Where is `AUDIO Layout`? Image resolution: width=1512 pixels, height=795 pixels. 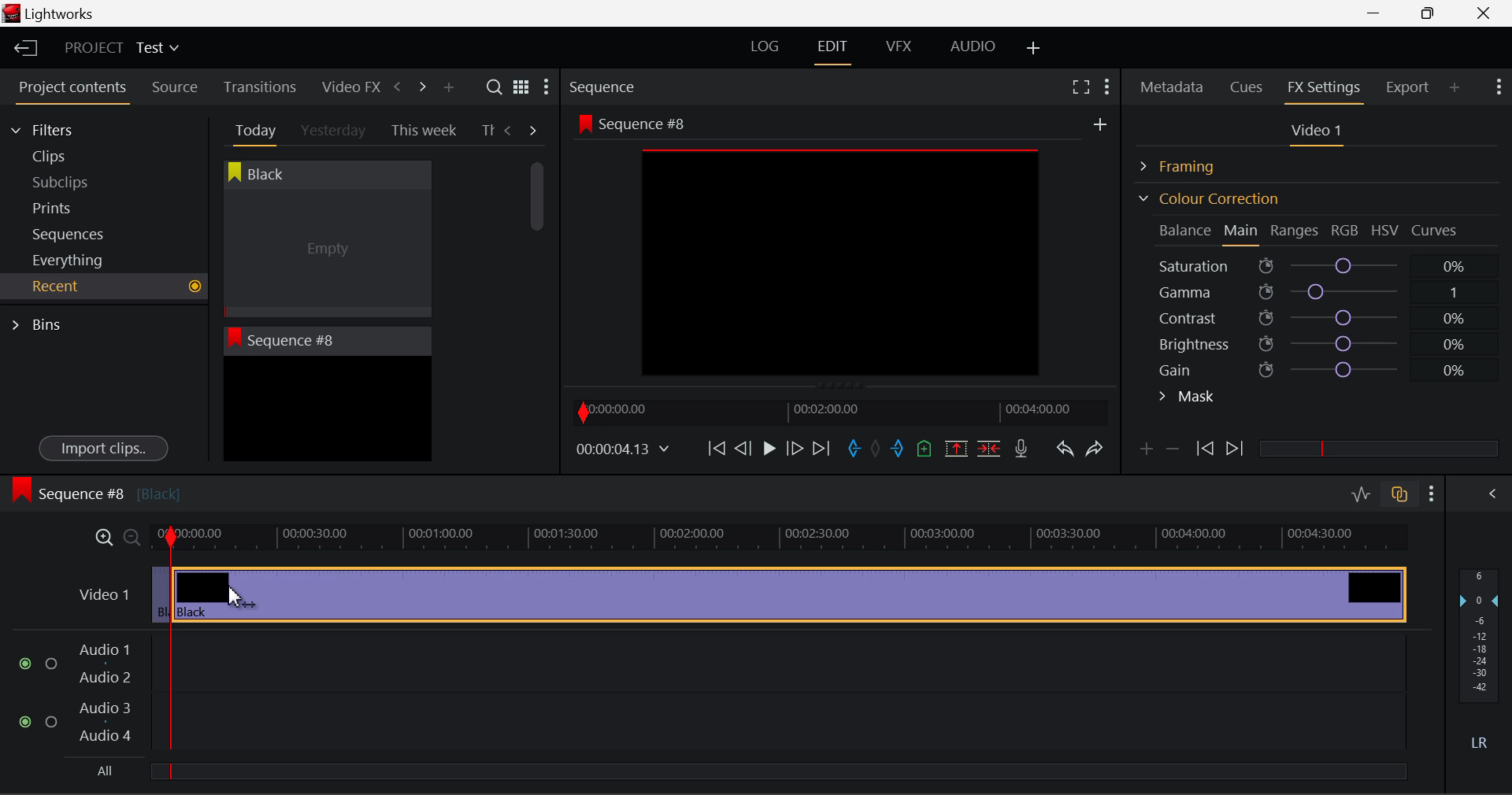 AUDIO Layout is located at coordinates (972, 46).